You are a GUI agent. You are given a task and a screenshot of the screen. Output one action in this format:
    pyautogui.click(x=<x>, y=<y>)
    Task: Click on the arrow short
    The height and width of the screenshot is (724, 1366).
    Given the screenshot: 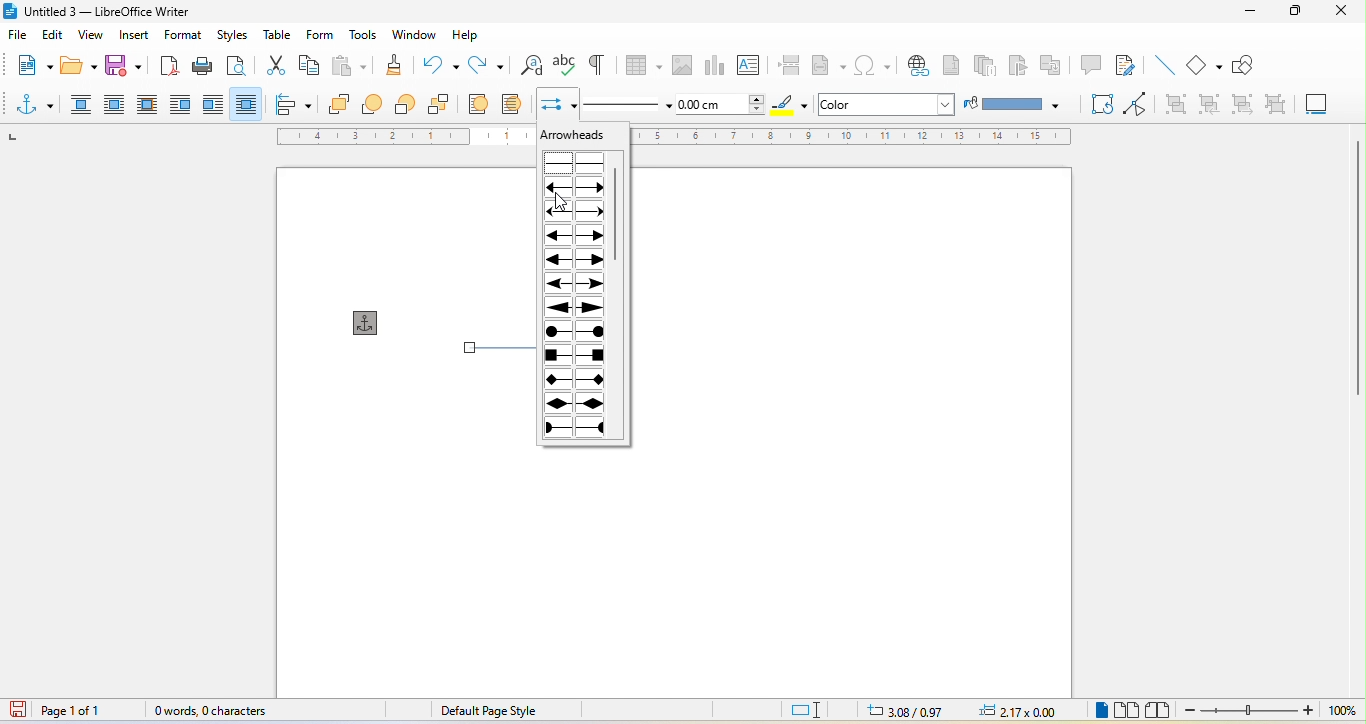 What is the action you would take?
    pyautogui.click(x=575, y=187)
    